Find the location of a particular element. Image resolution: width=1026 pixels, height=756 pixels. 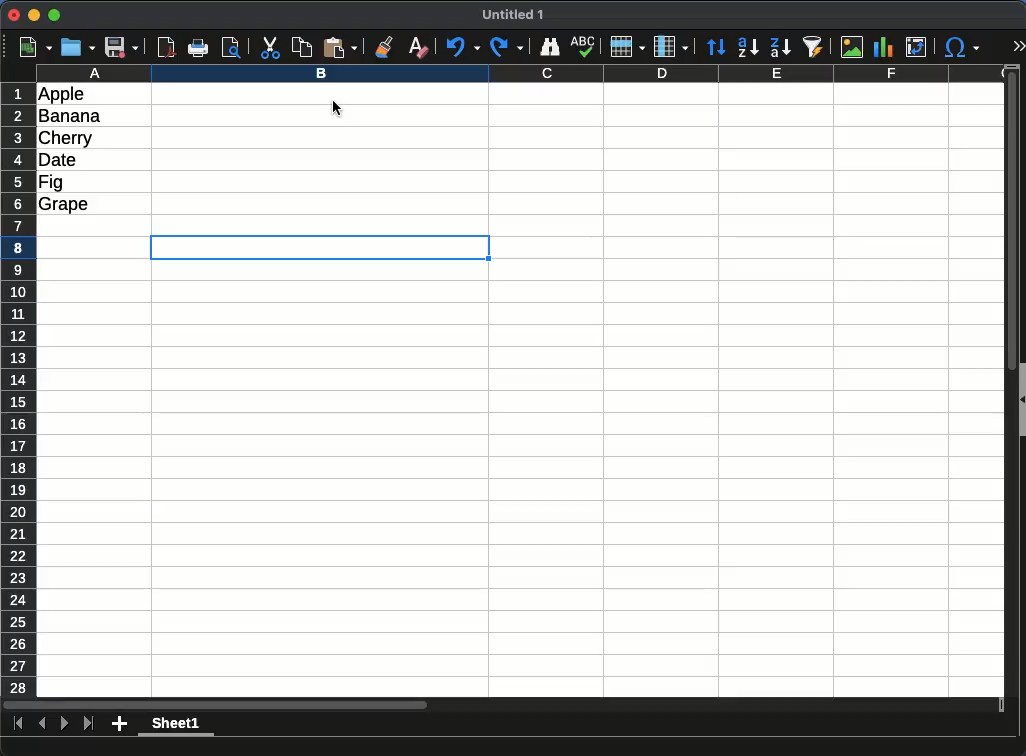

undo is located at coordinates (463, 47).